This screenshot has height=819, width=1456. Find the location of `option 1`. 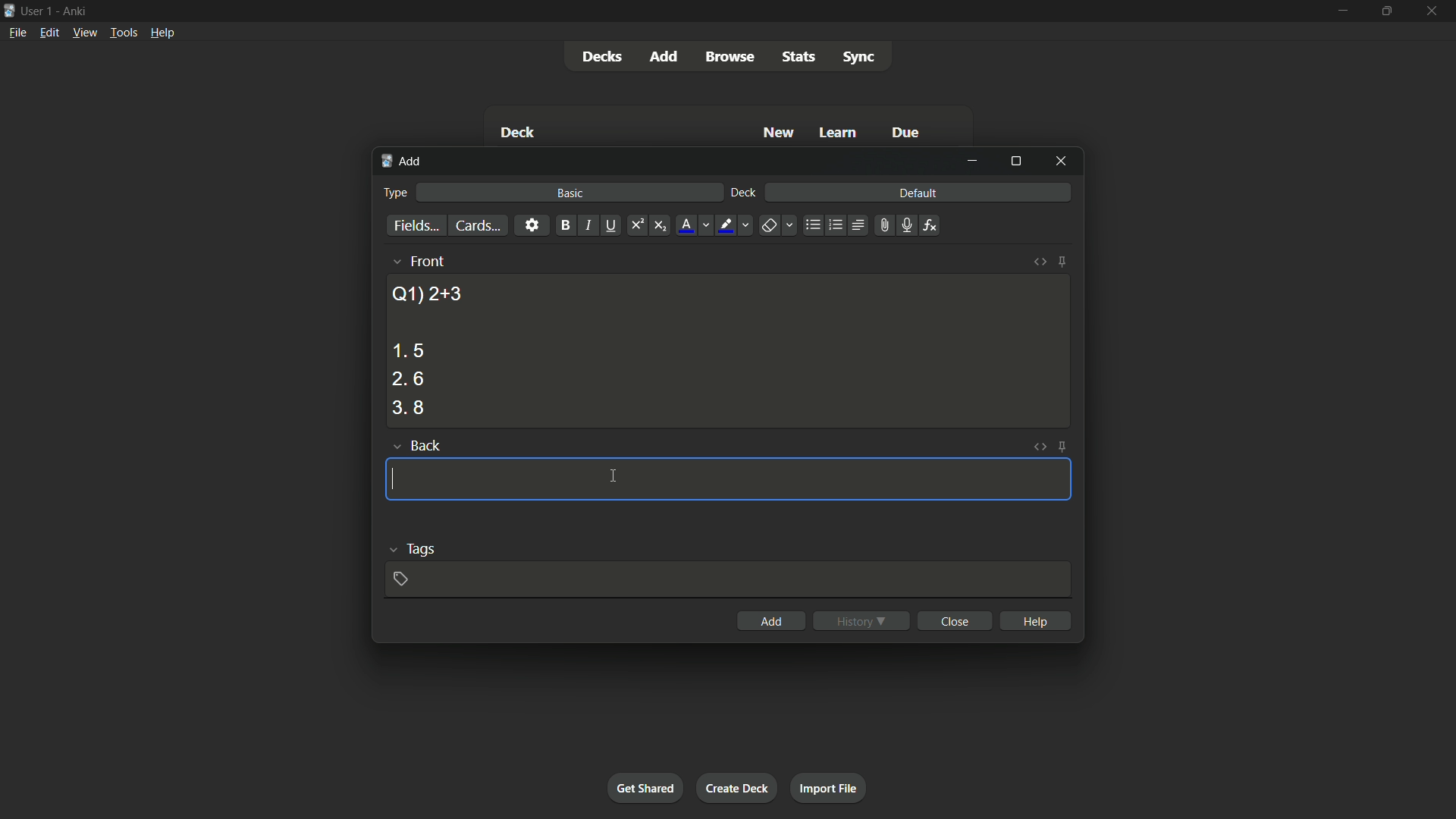

option 1 is located at coordinates (408, 350).